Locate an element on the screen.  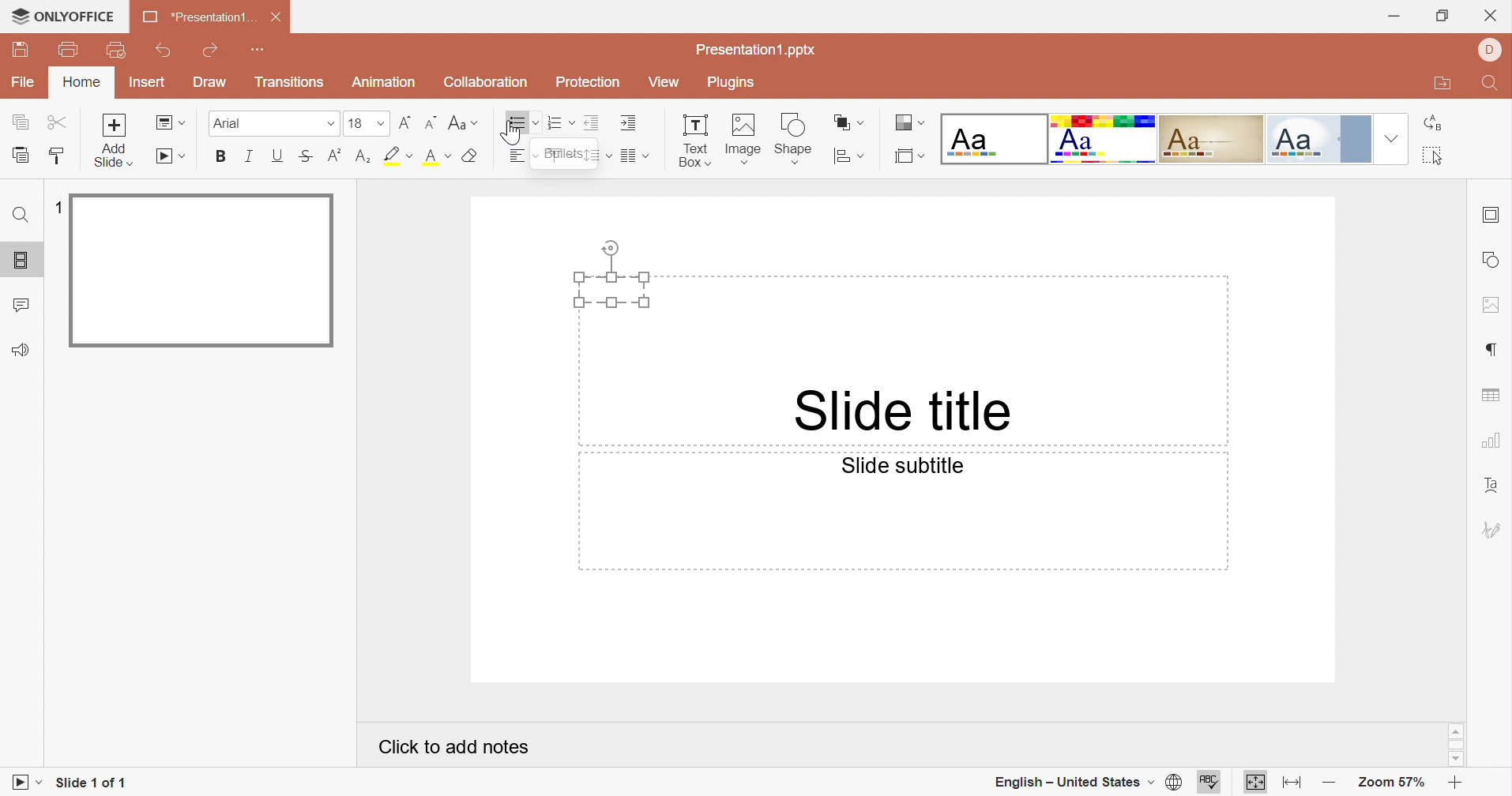
16 is located at coordinates (358, 123).